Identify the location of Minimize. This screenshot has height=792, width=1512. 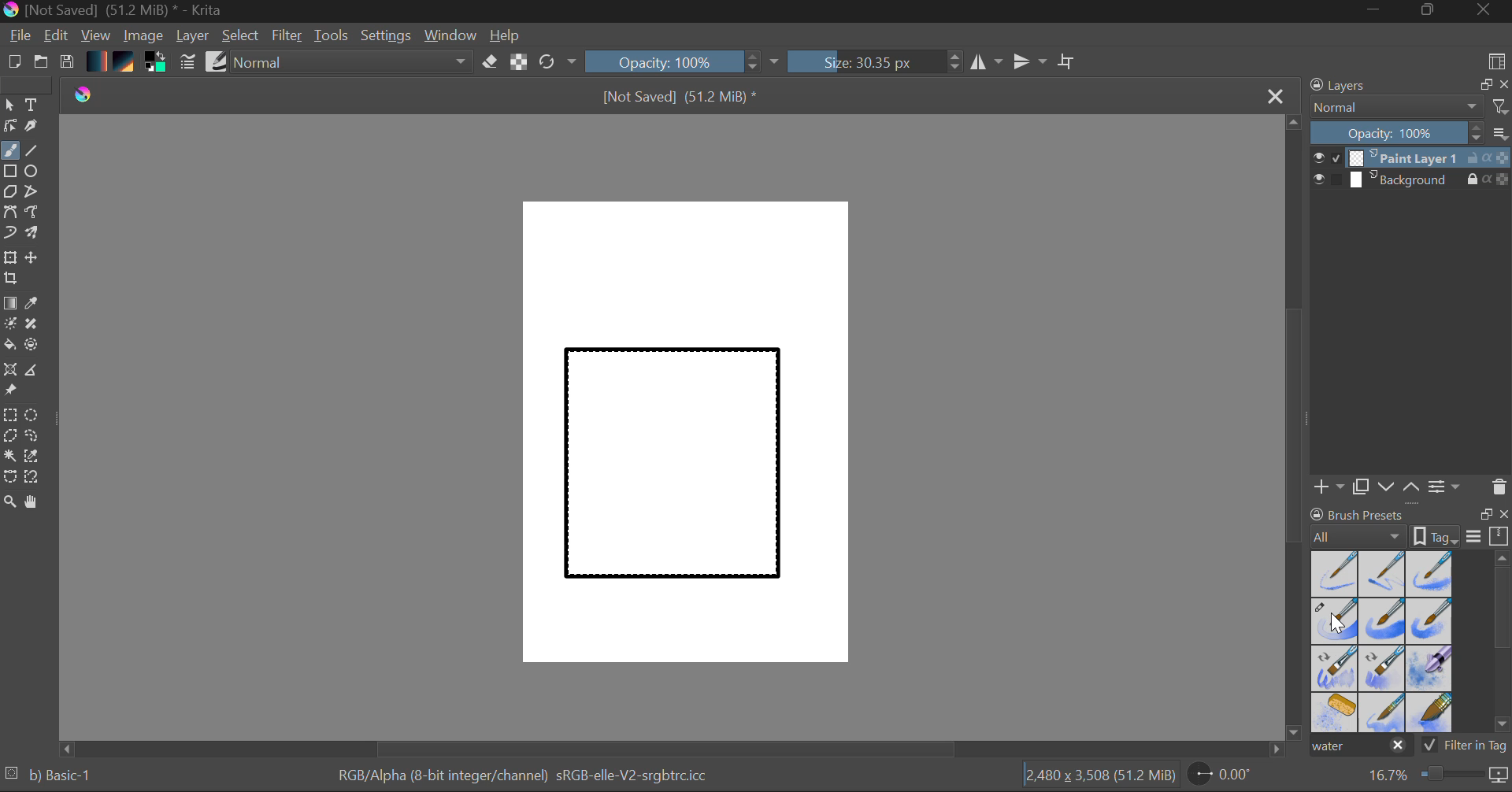
(1431, 11).